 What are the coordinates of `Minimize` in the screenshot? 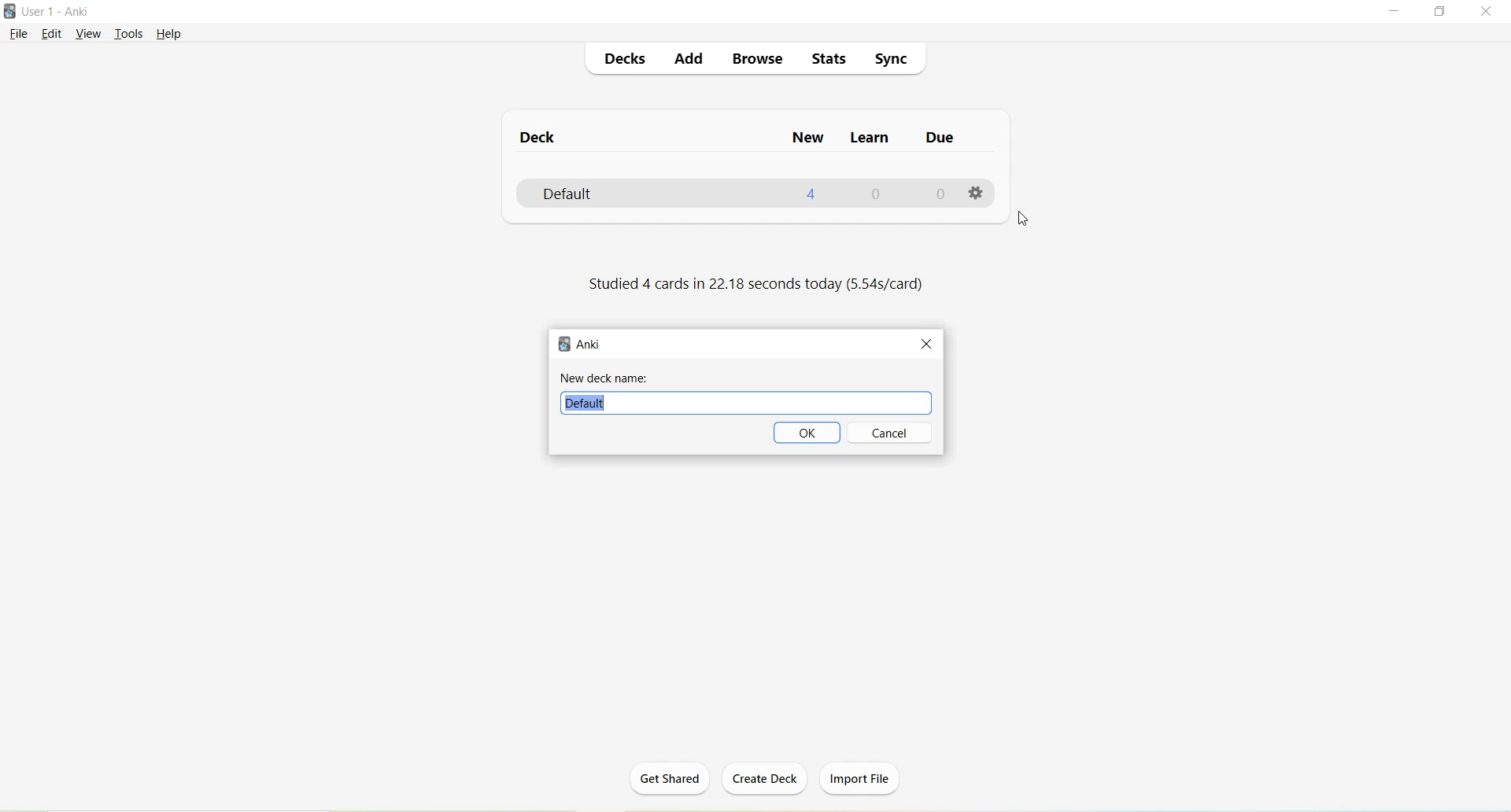 It's located at (1397, 12).